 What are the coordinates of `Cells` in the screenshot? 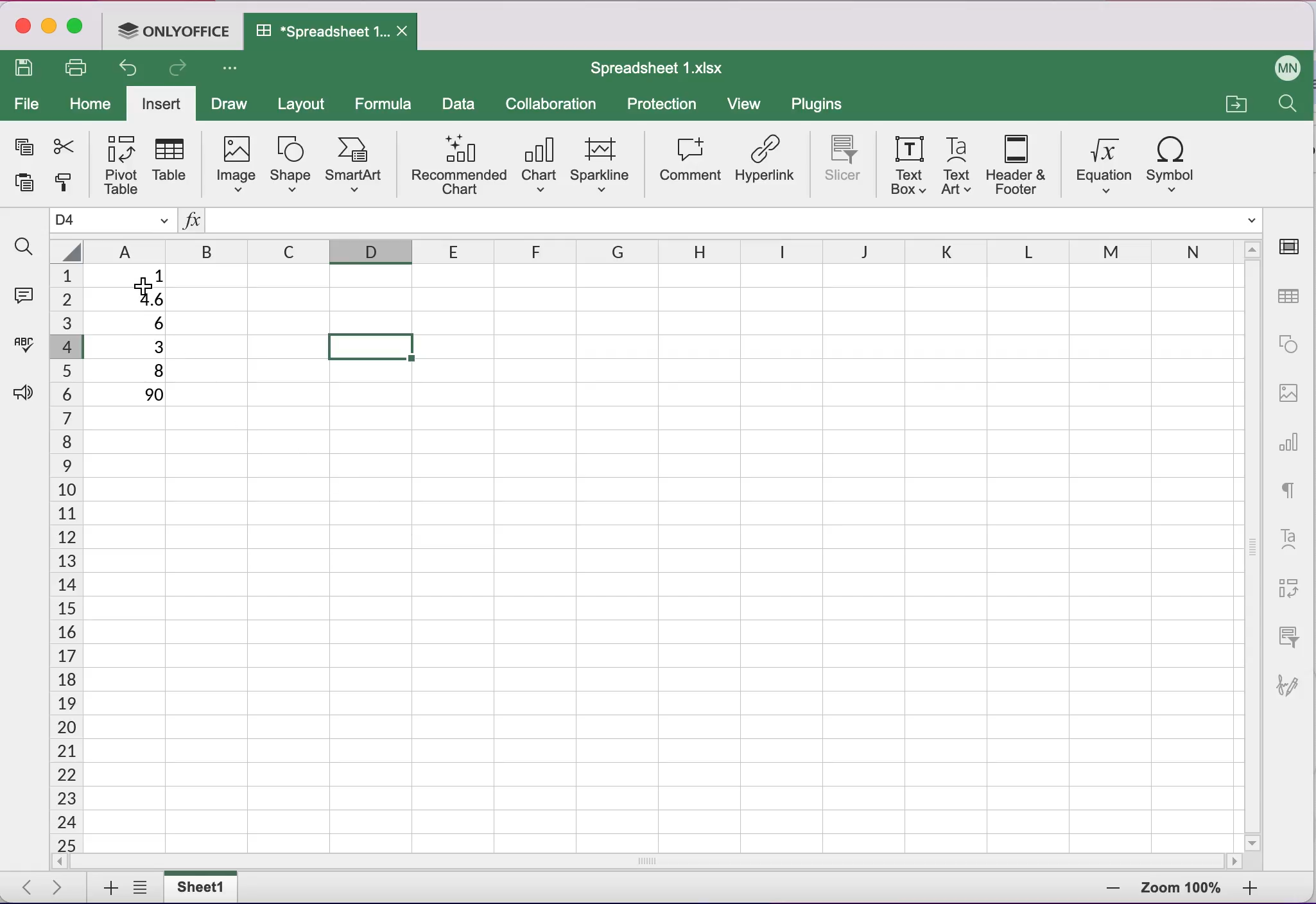 It's located at (713, 559).